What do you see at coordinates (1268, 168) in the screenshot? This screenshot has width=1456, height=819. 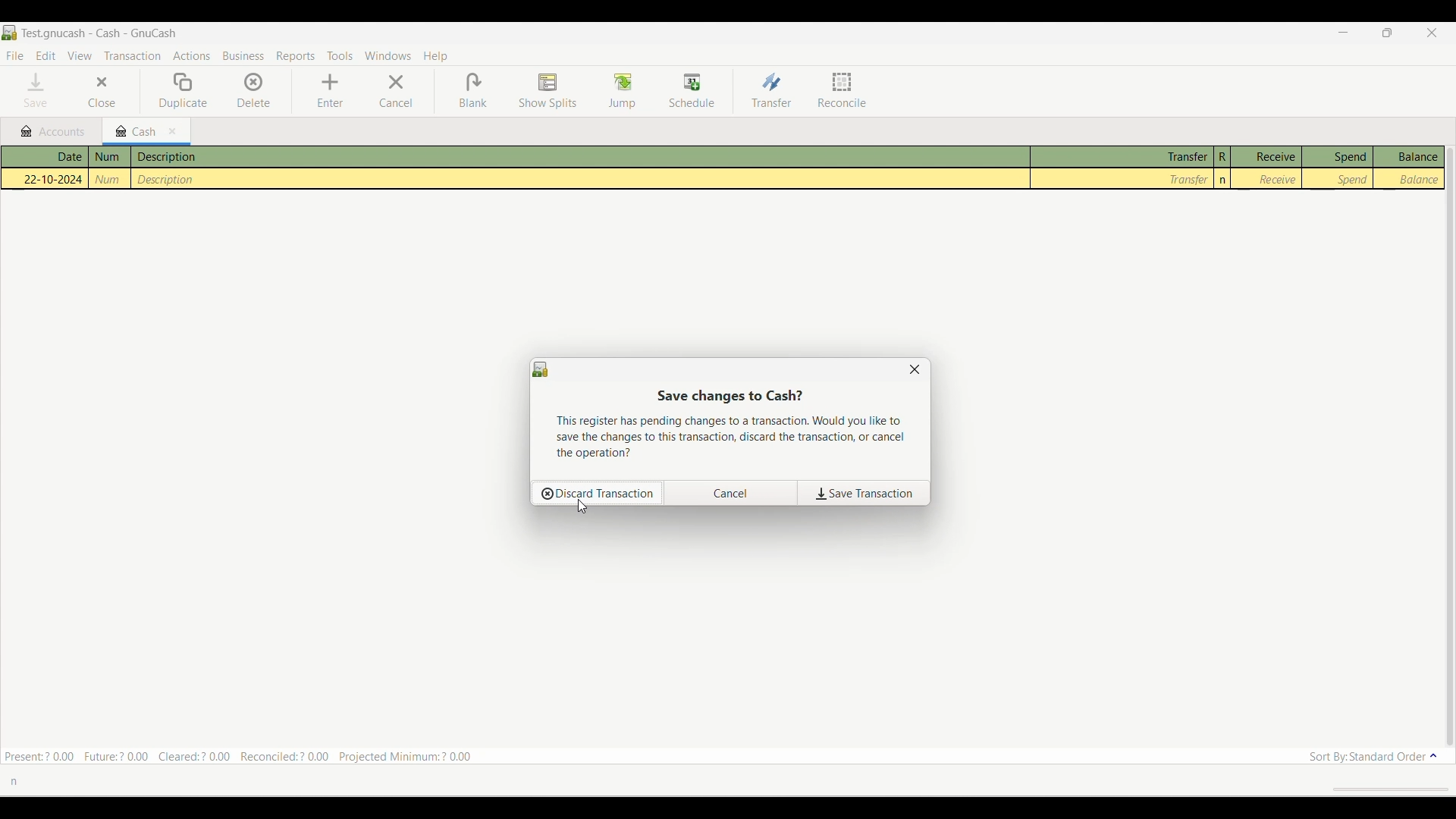 I see `Receive column` at bounding box center [1268, 168].